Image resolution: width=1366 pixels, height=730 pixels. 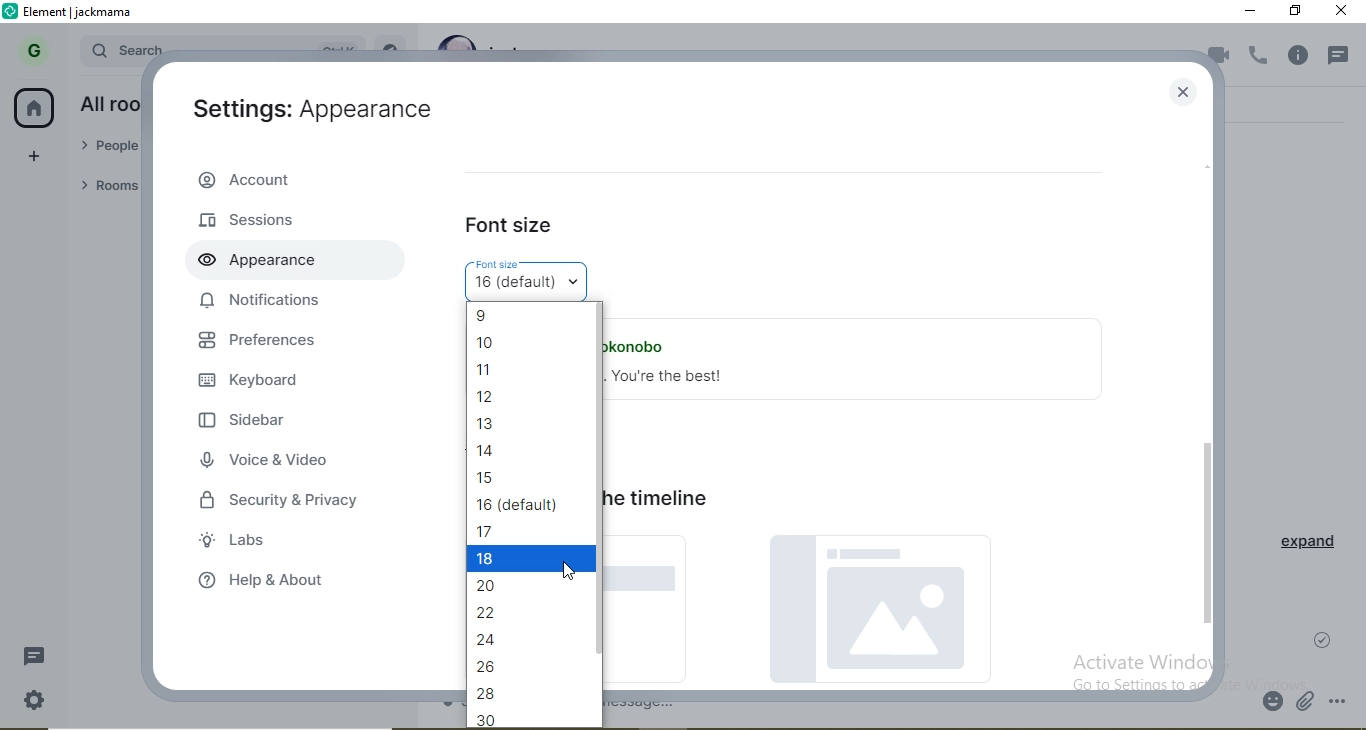 What do you see at coordinates (1297, 11) in the screenshot?
I see `restore` at bounding box center [1297, 11].